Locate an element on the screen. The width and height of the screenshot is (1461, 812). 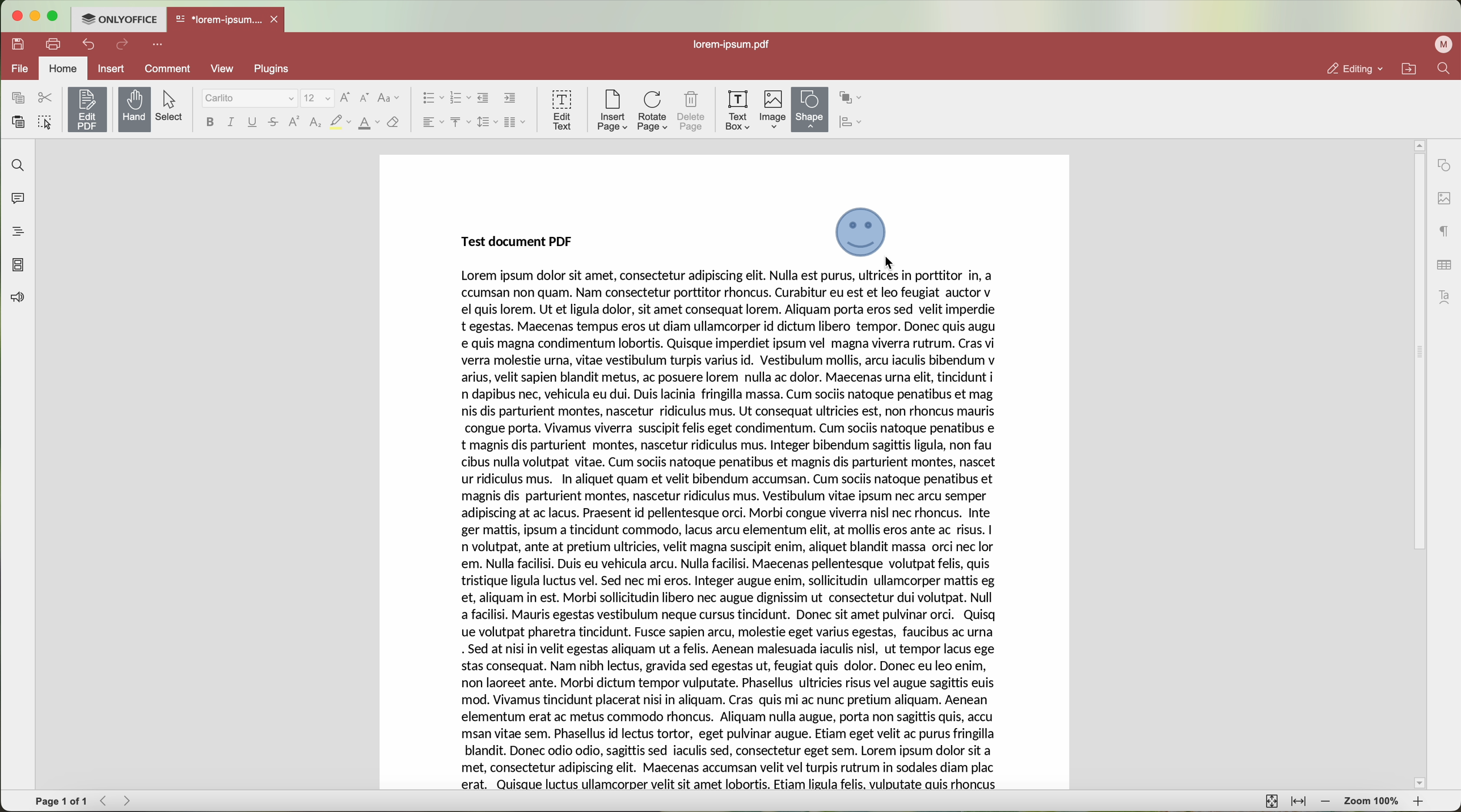
editing is located at coordinates (1355, 69).